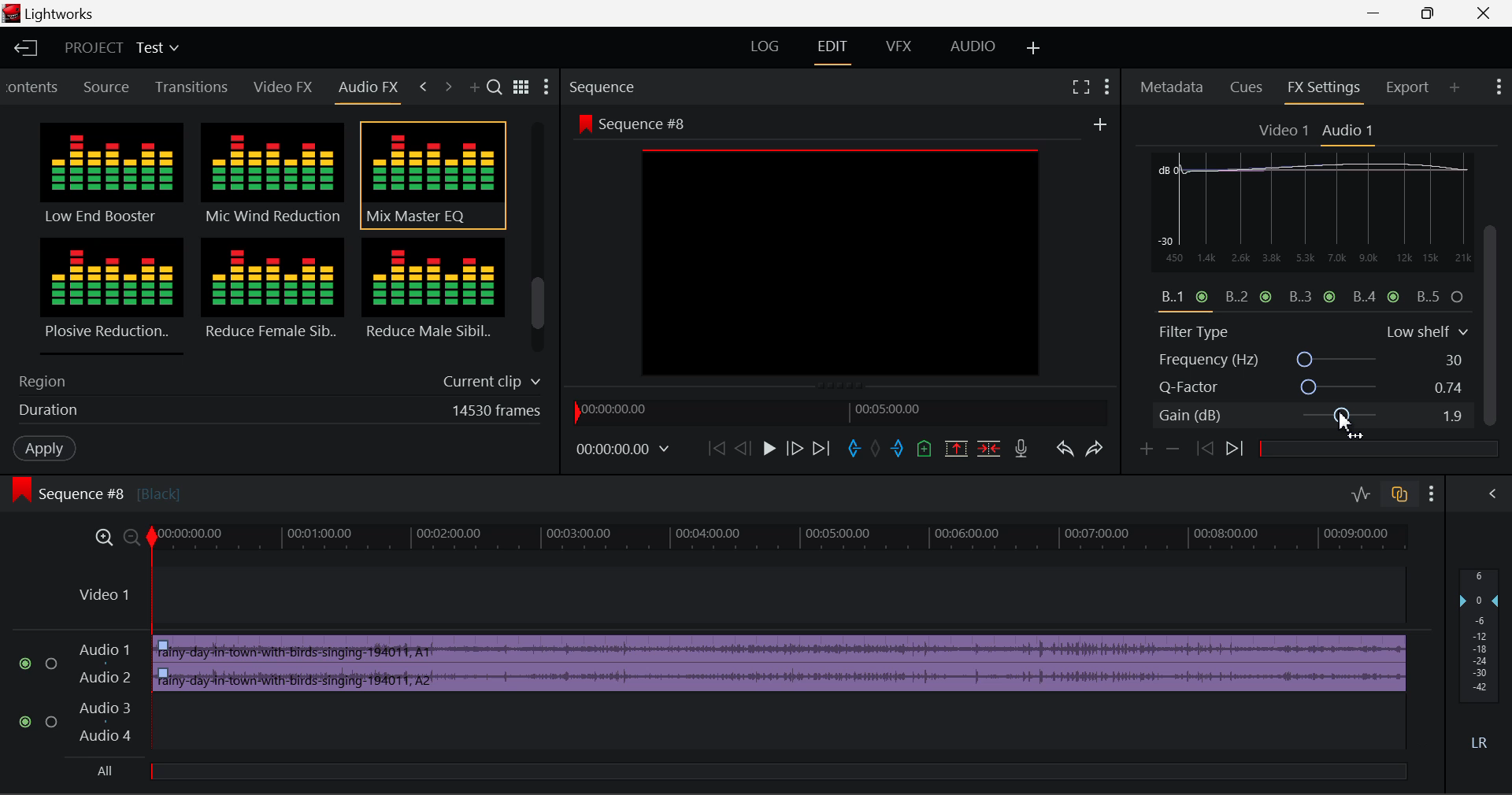 This screenshot has height=795, width=1512. What do you see at coordinates (715, 449) in the screenshot?
I see `To Start` at bounding box center [715, 449].